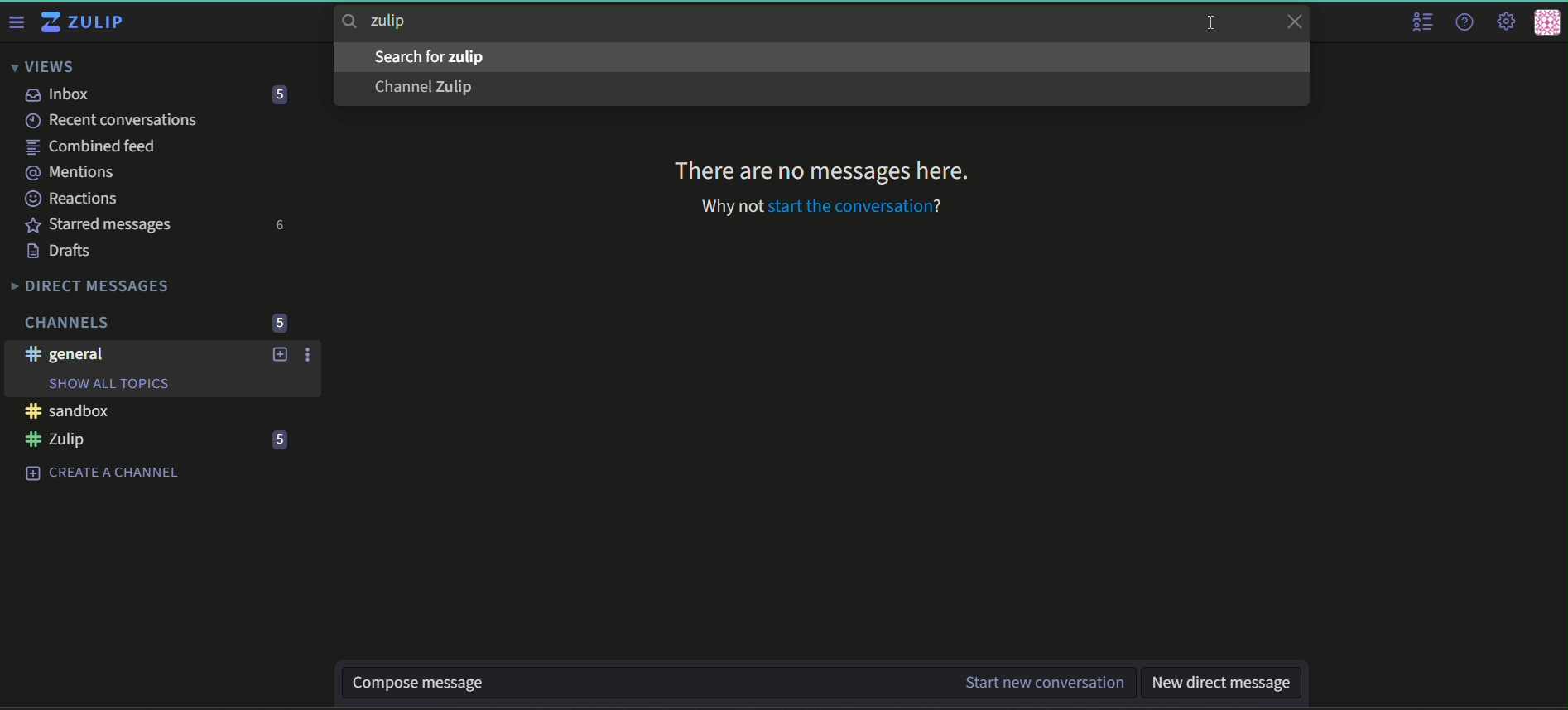  I want to click on #general, so click(64, 354).